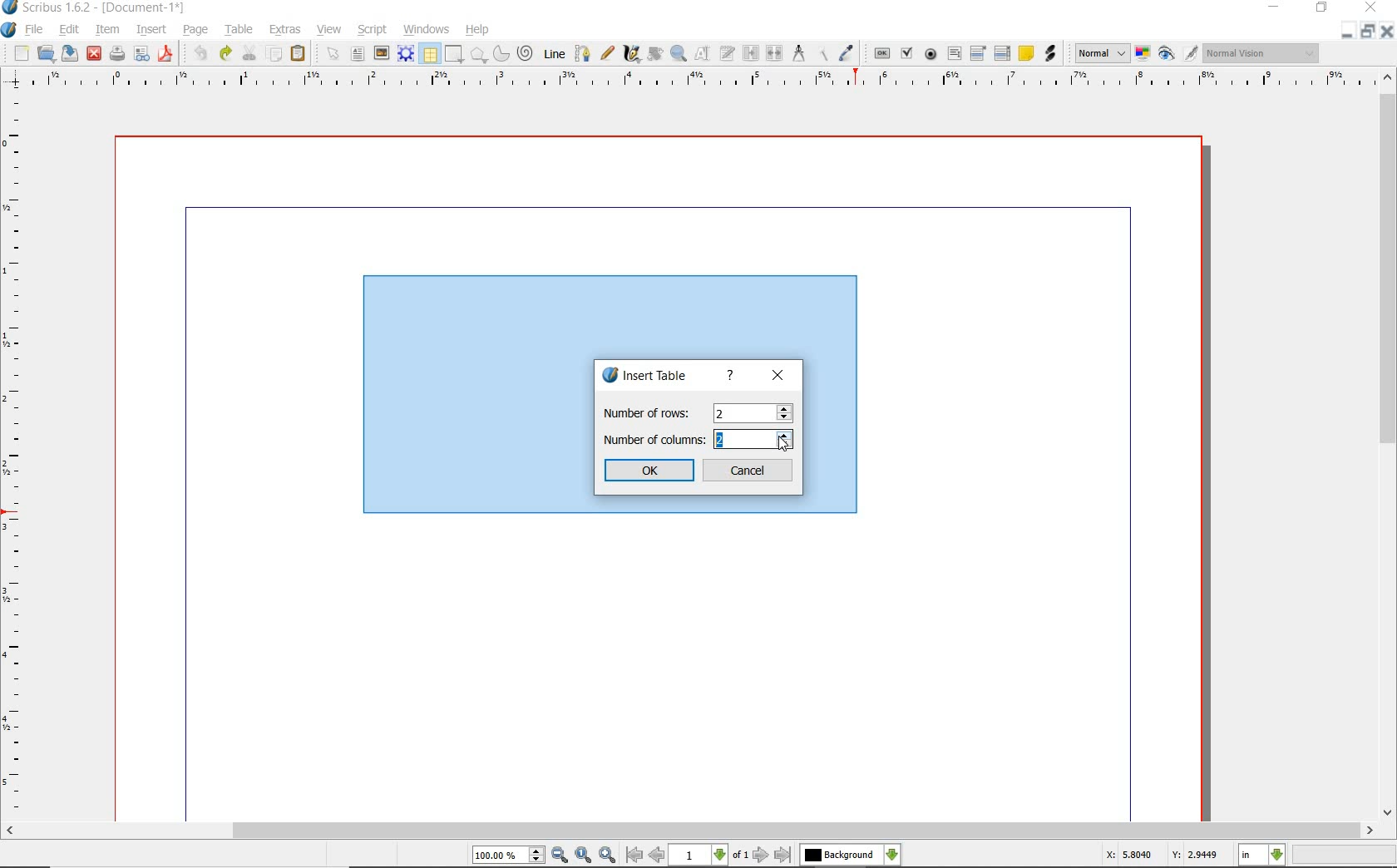 The width and height of the screenshot is (1397, 868). I want to click on go to previous page, so click(656, 856).